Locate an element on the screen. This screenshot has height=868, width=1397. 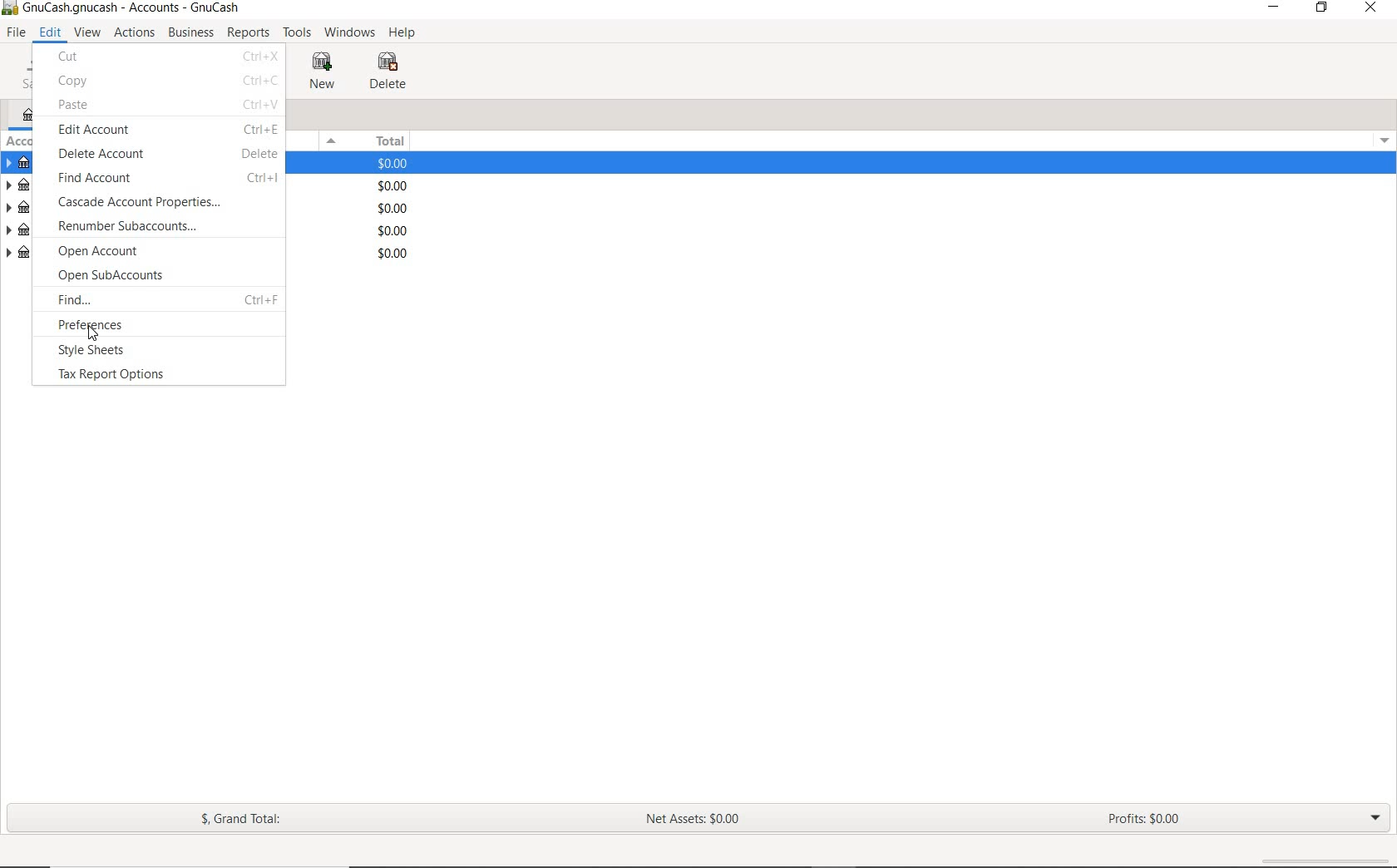
FILE NAME is located at coordinates (122, 7).